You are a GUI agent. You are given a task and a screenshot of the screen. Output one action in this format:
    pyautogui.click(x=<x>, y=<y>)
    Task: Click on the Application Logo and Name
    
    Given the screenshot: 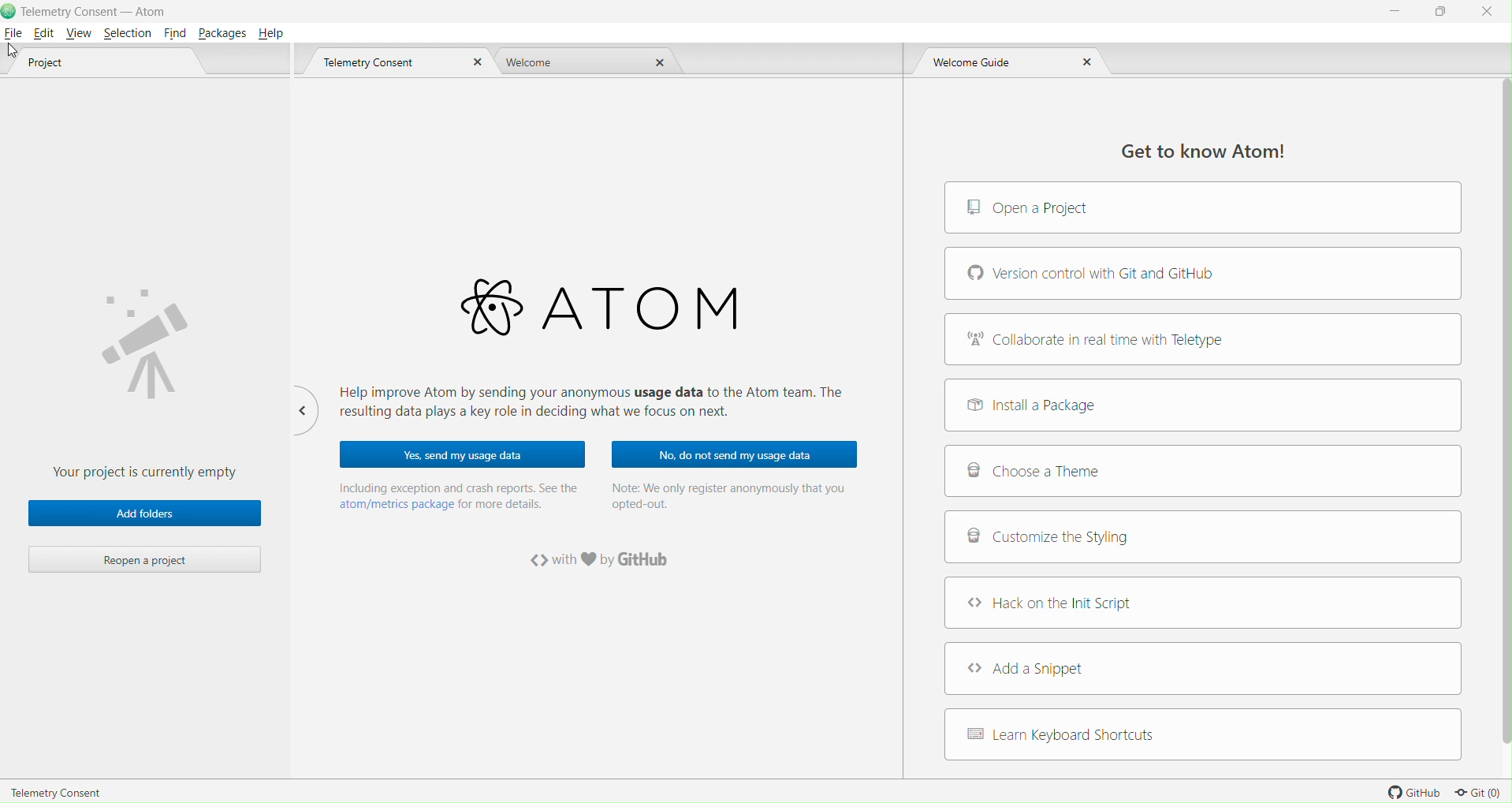 What is the action you would take?
    pyautogui.click(x=596, y=308)
    